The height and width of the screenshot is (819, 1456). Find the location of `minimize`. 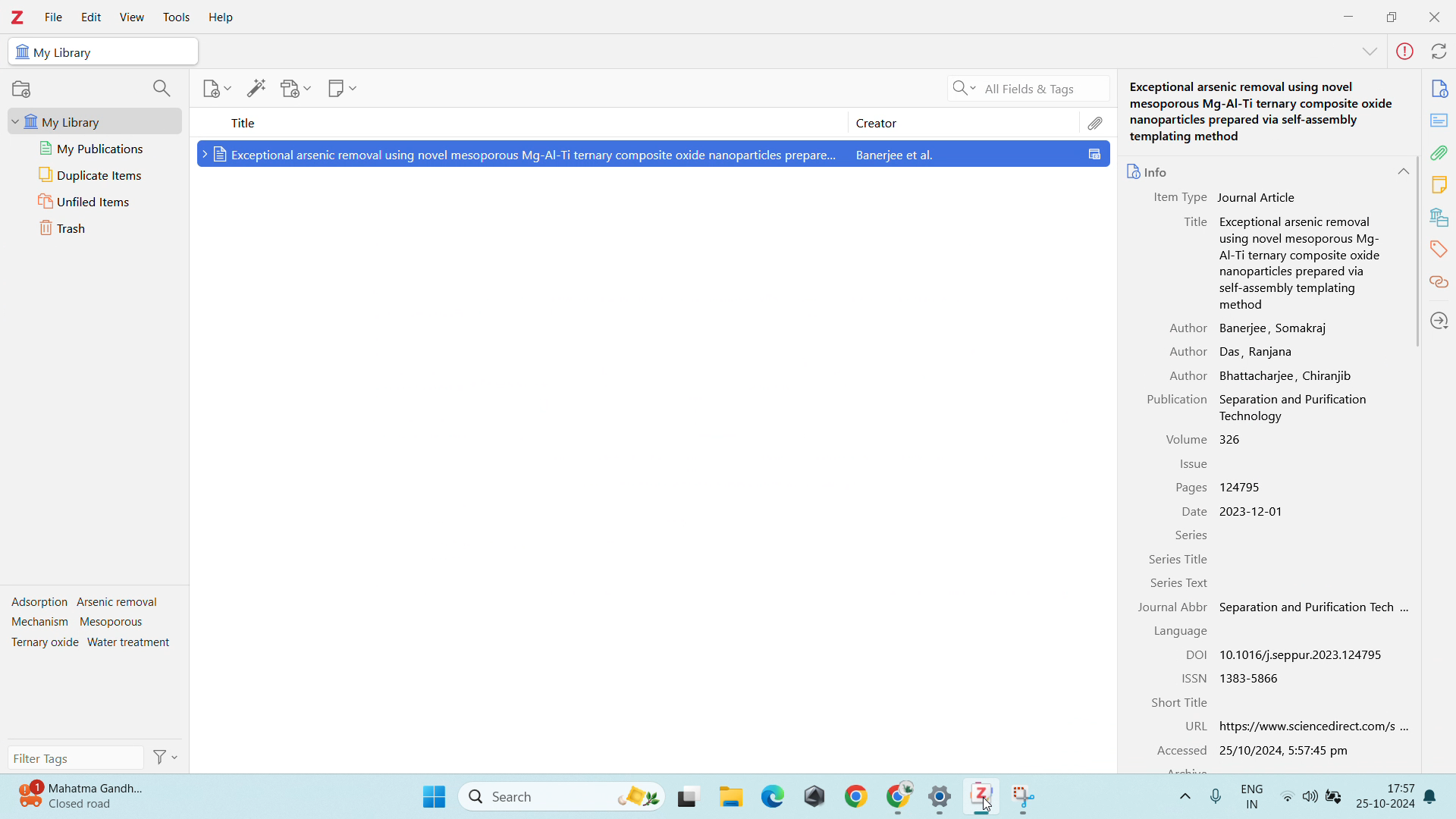

minimize is located at coordinates (1348, 14).